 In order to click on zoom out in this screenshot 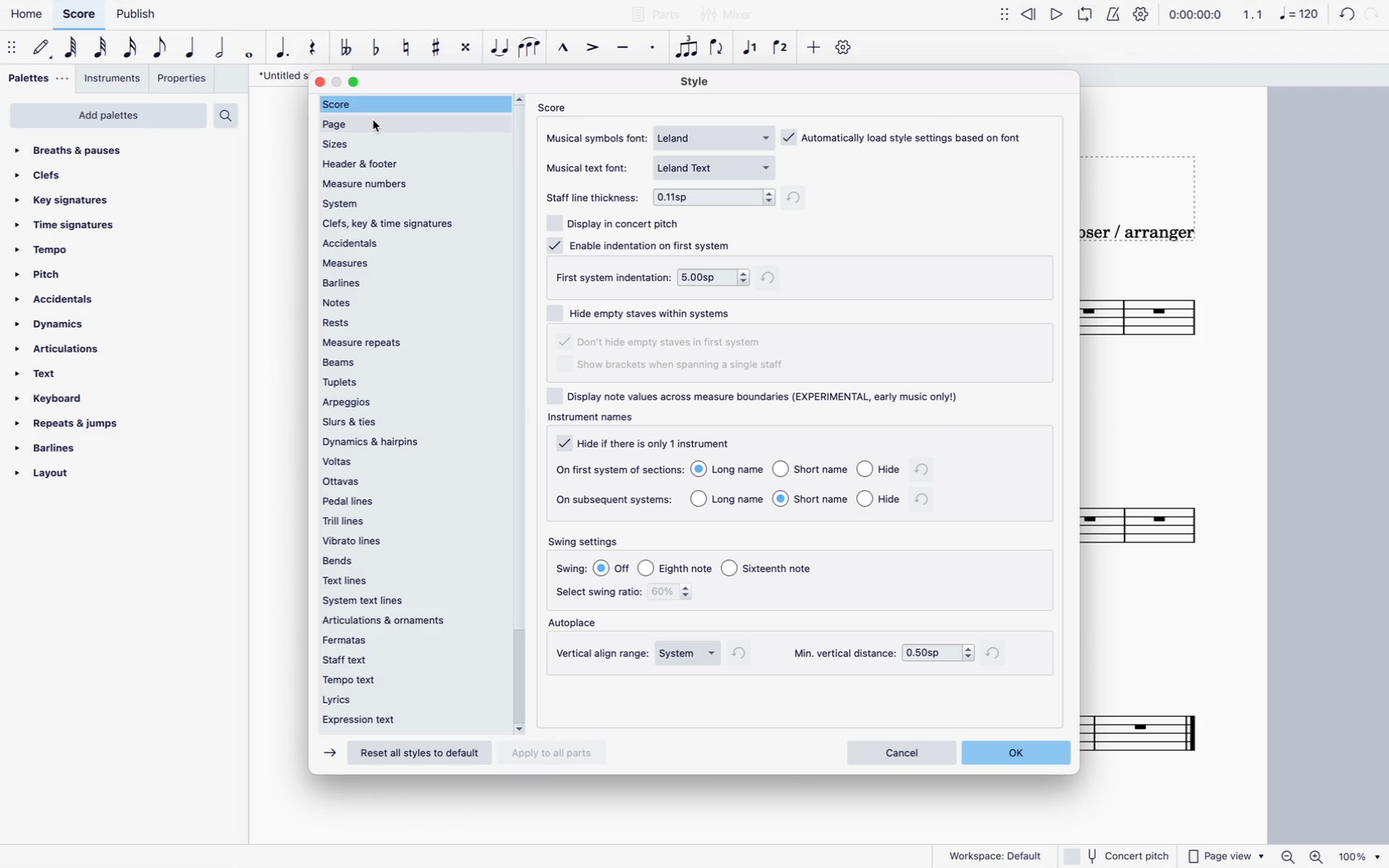, I will do `click(1291, 853)`.